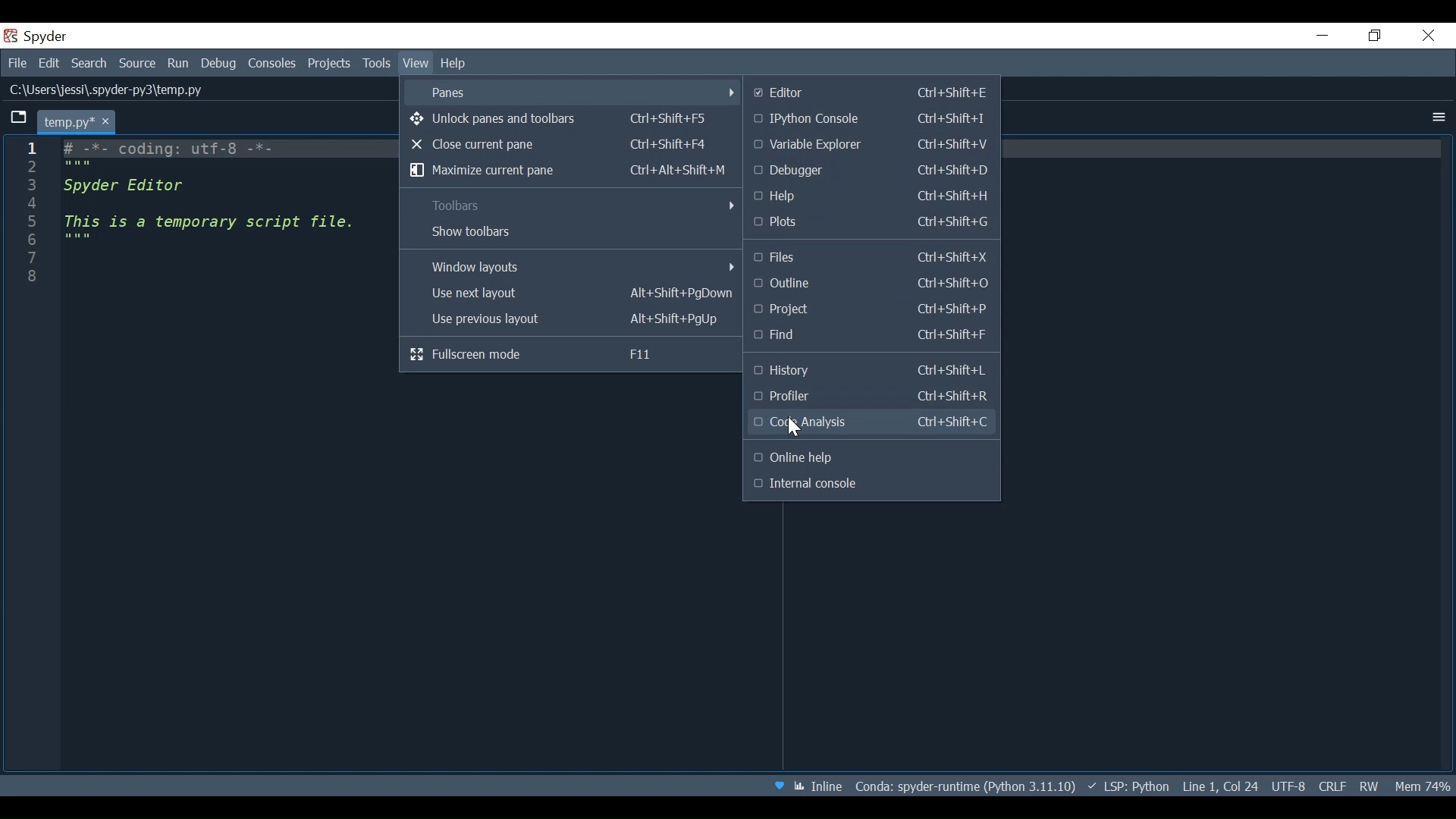 The image size is (1456, 819). What do you see at coordinates (33, 219) in the screenshot?
I see `1 2 3 4 5 6 7 8` at bounding box center [33, 219].